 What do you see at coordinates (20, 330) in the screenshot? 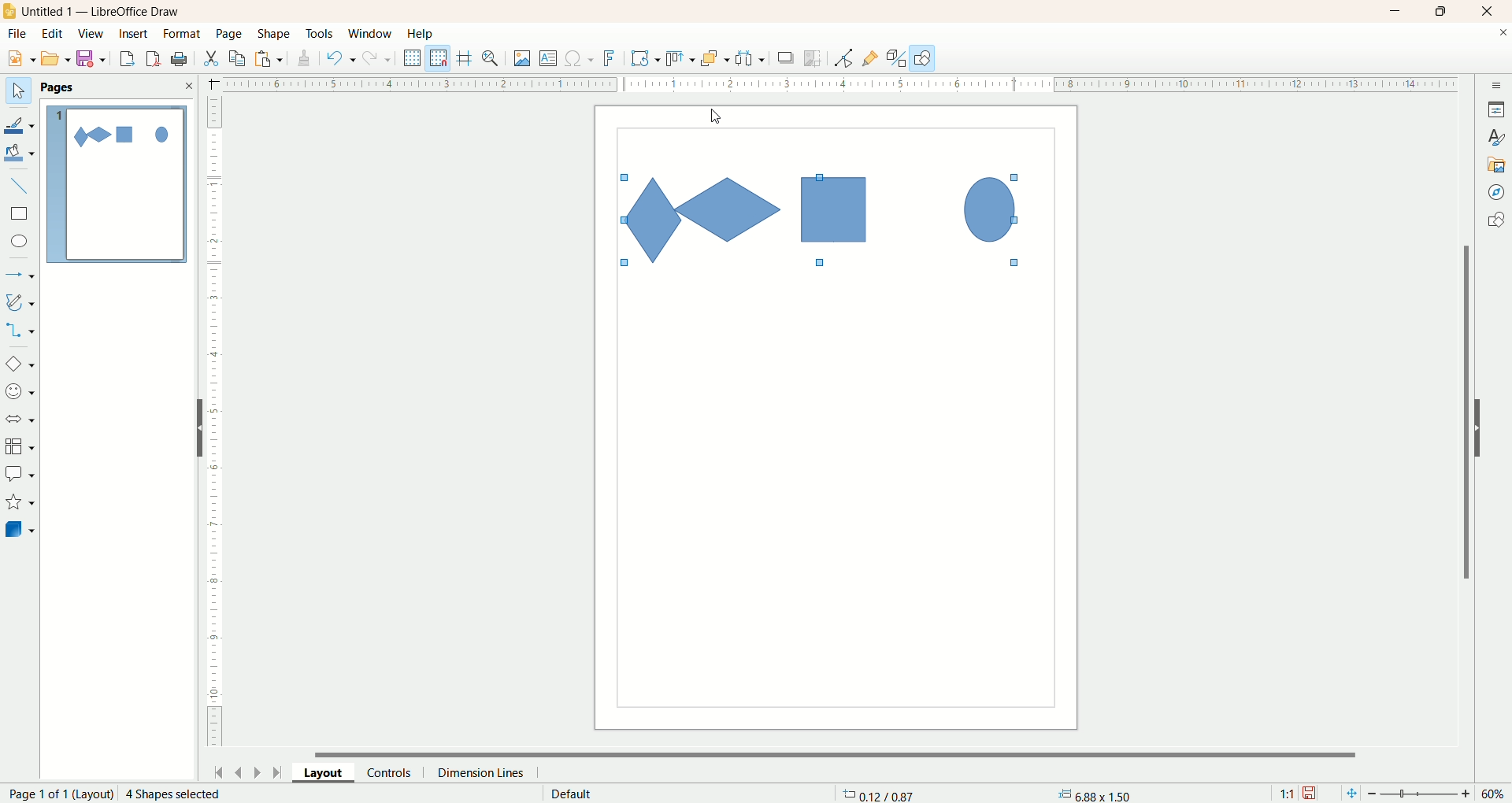
I see `connectors` at bounding box center [20, 330].